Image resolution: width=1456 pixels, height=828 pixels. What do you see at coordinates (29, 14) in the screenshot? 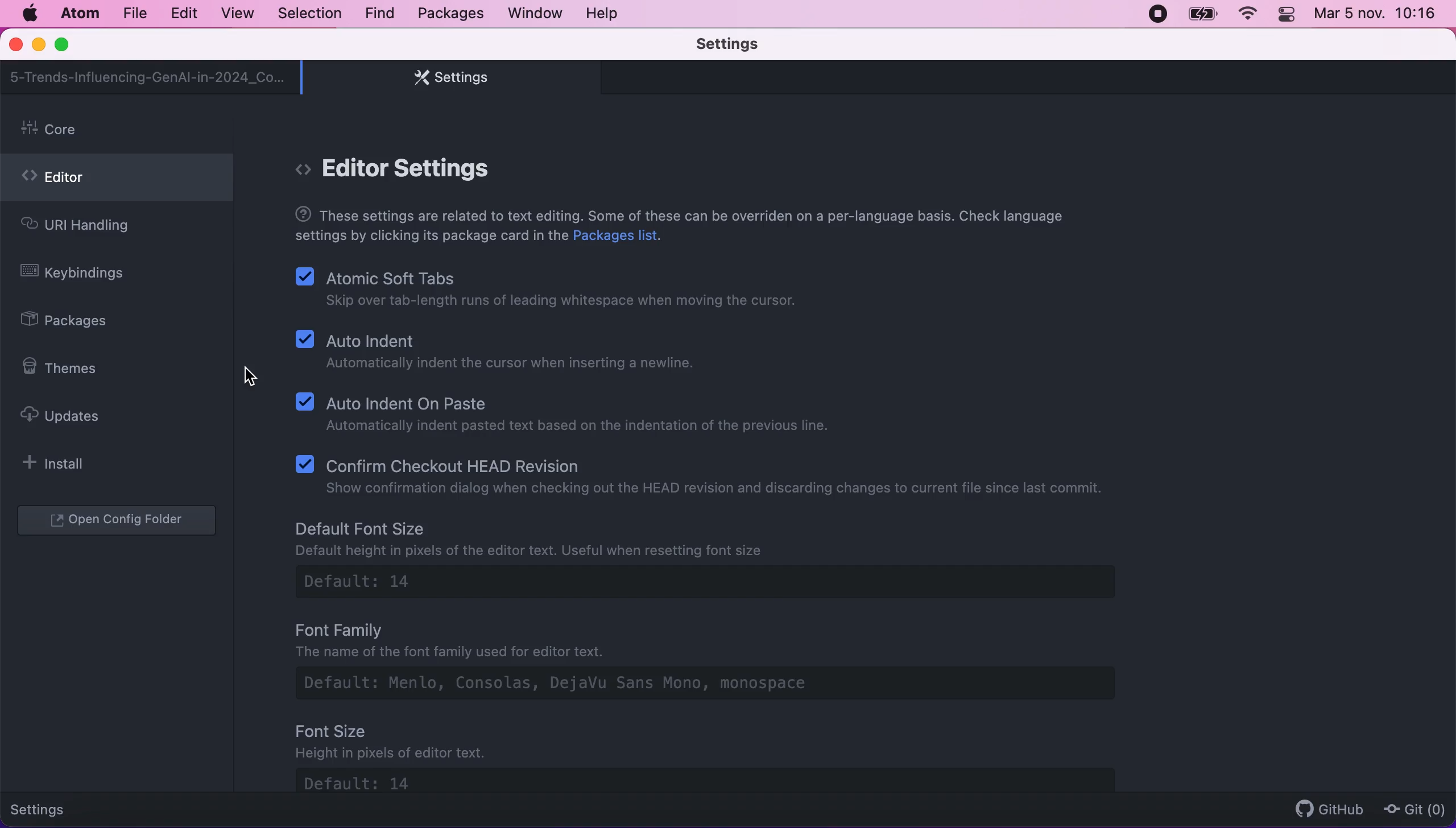
I see `mac logo` at bounding box center [29, 14].